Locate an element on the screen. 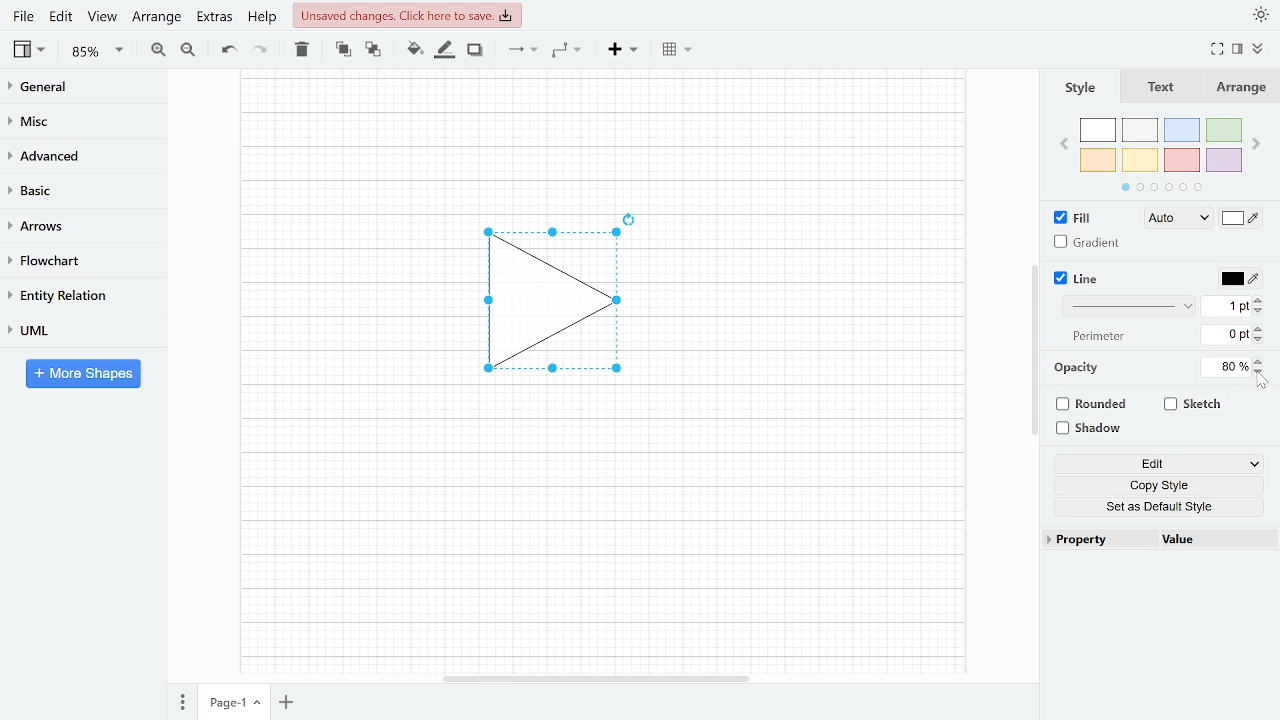 The height and width of the screenshot is (720, 1280). yellow is located at coordinates (1141, 159).